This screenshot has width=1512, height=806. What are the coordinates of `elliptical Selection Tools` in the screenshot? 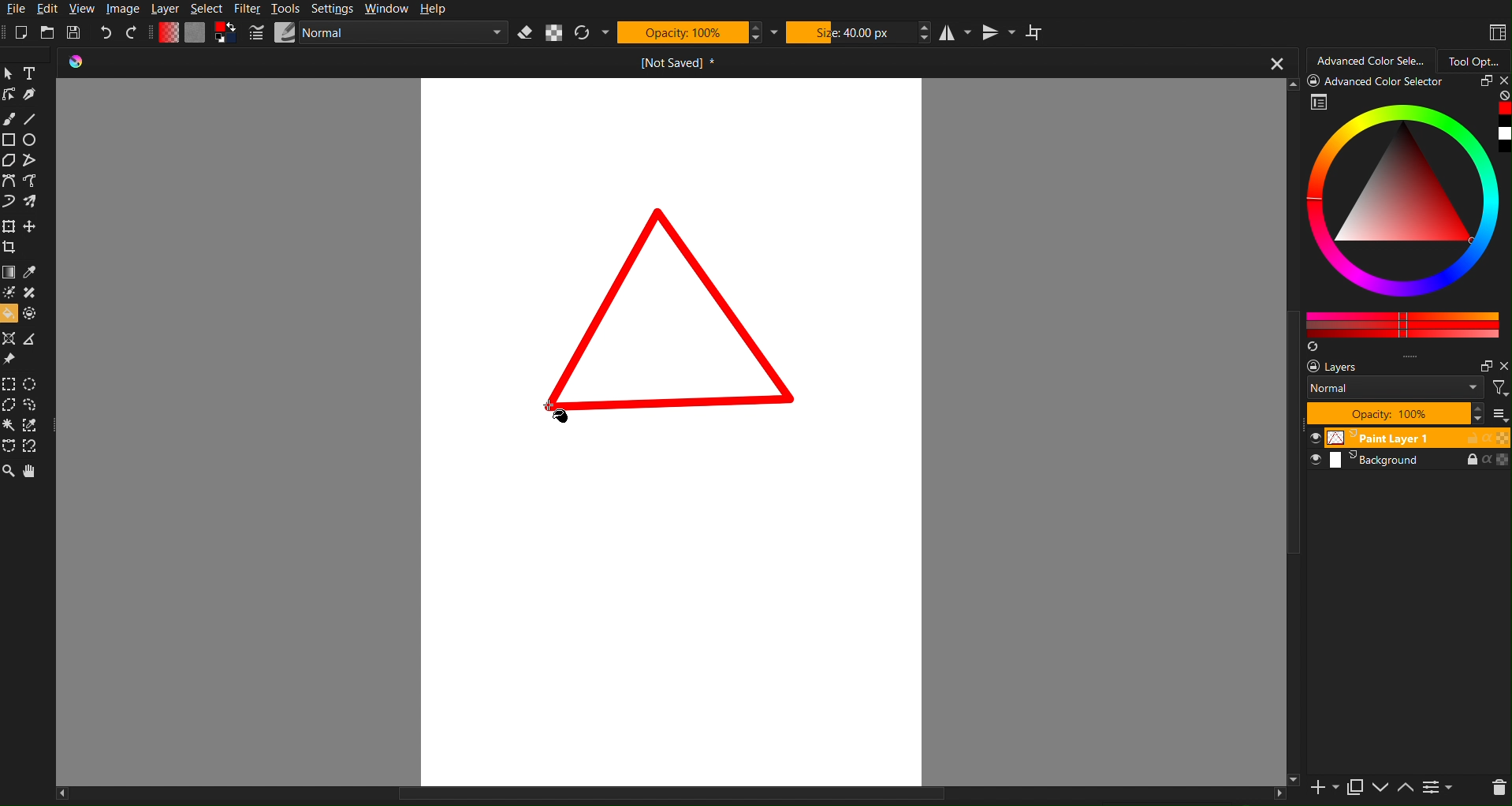 It's located at (32, 383).